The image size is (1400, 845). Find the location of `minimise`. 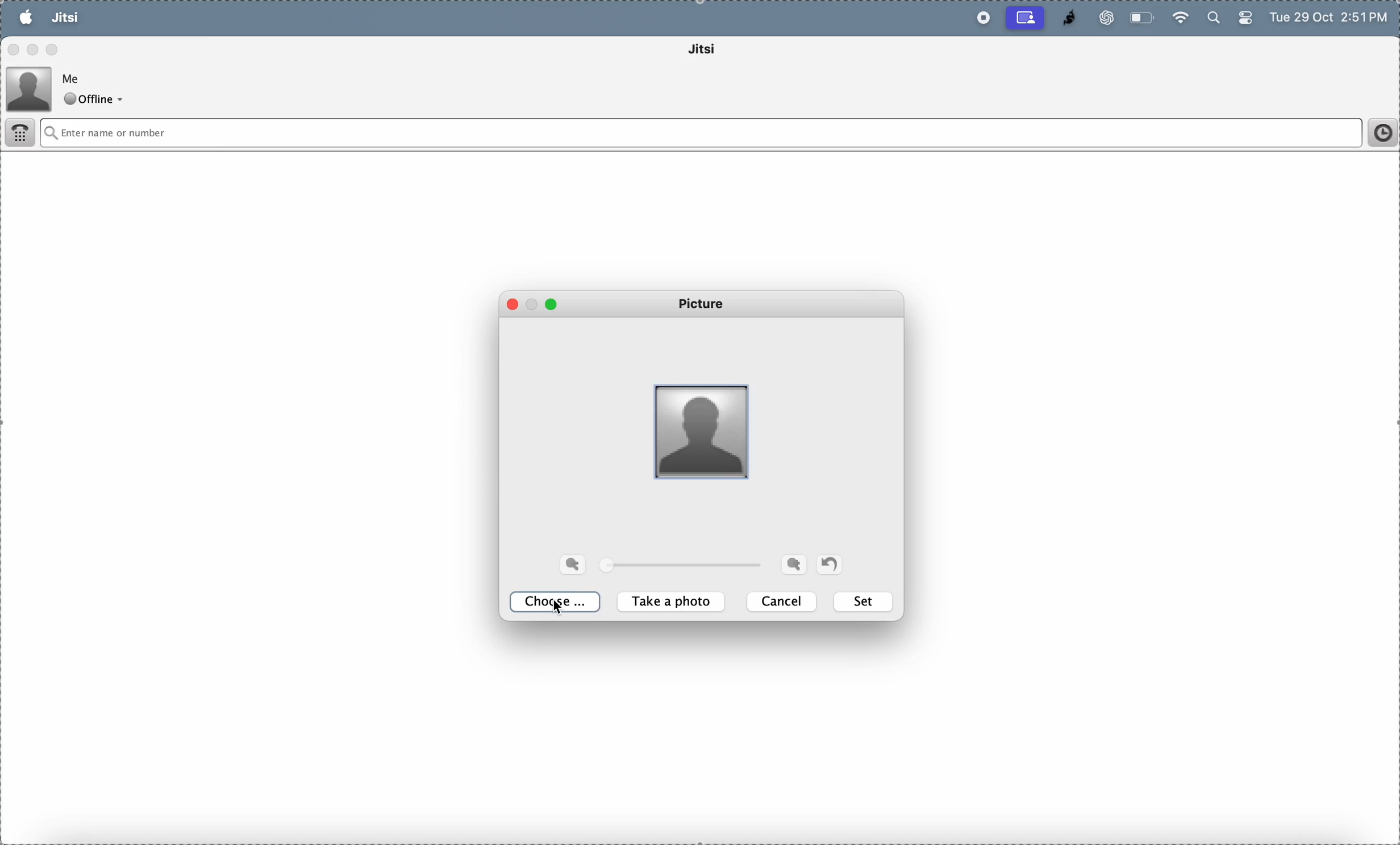

minimise is located at coordinates (534, 301).